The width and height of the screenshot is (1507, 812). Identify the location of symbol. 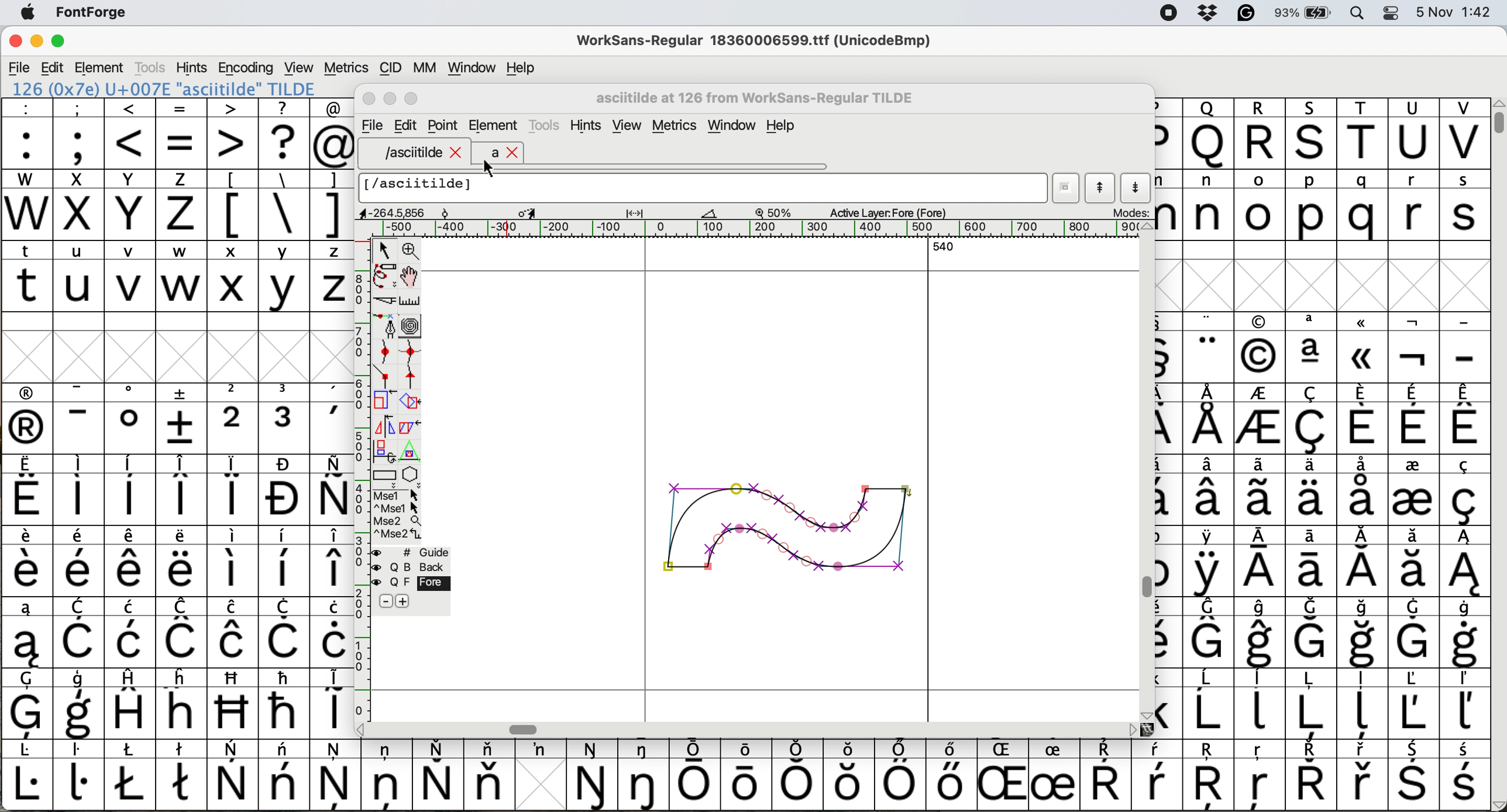
(1413, 419).